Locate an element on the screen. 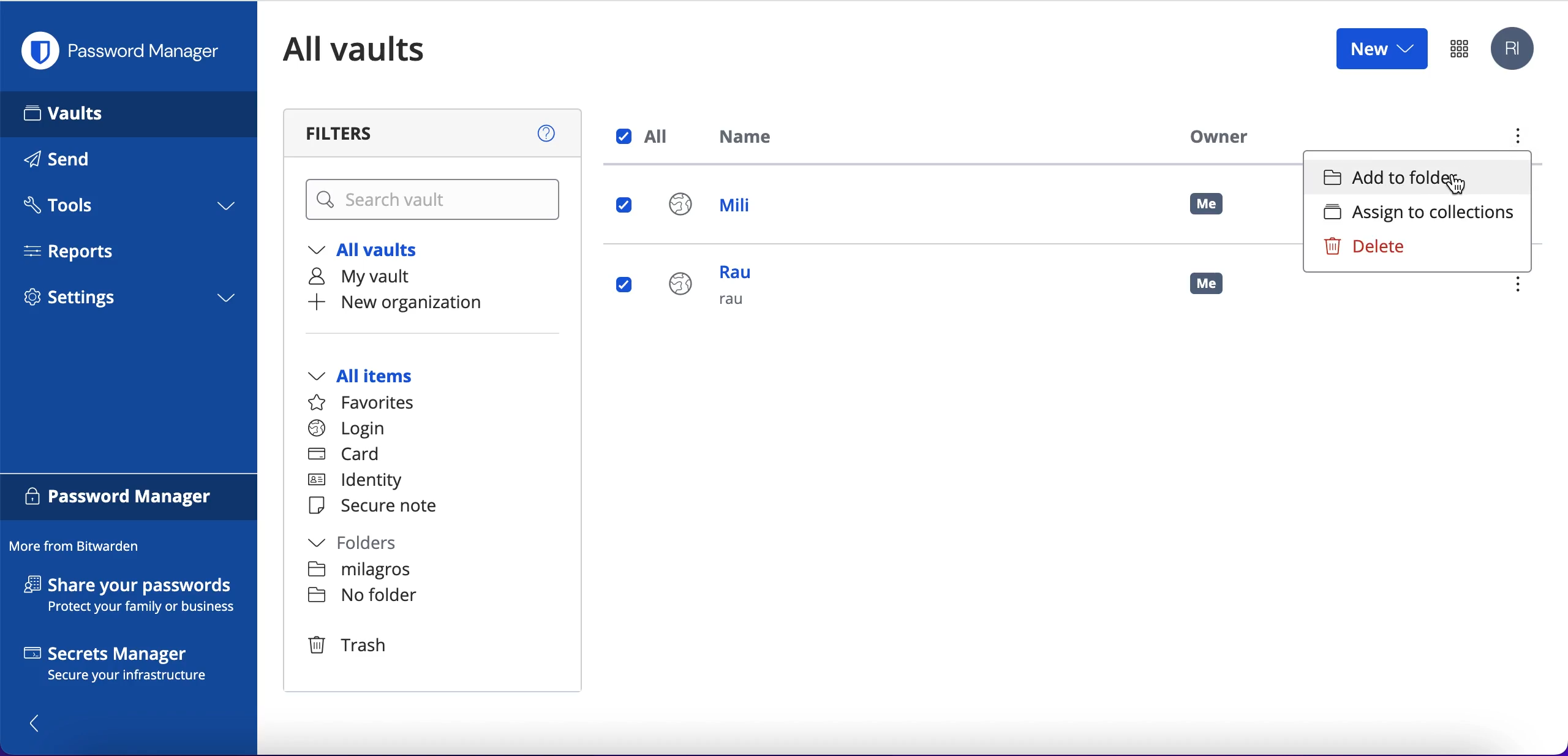 The image size is (1568, 756). select login rau is located at coordinates (622, 285).